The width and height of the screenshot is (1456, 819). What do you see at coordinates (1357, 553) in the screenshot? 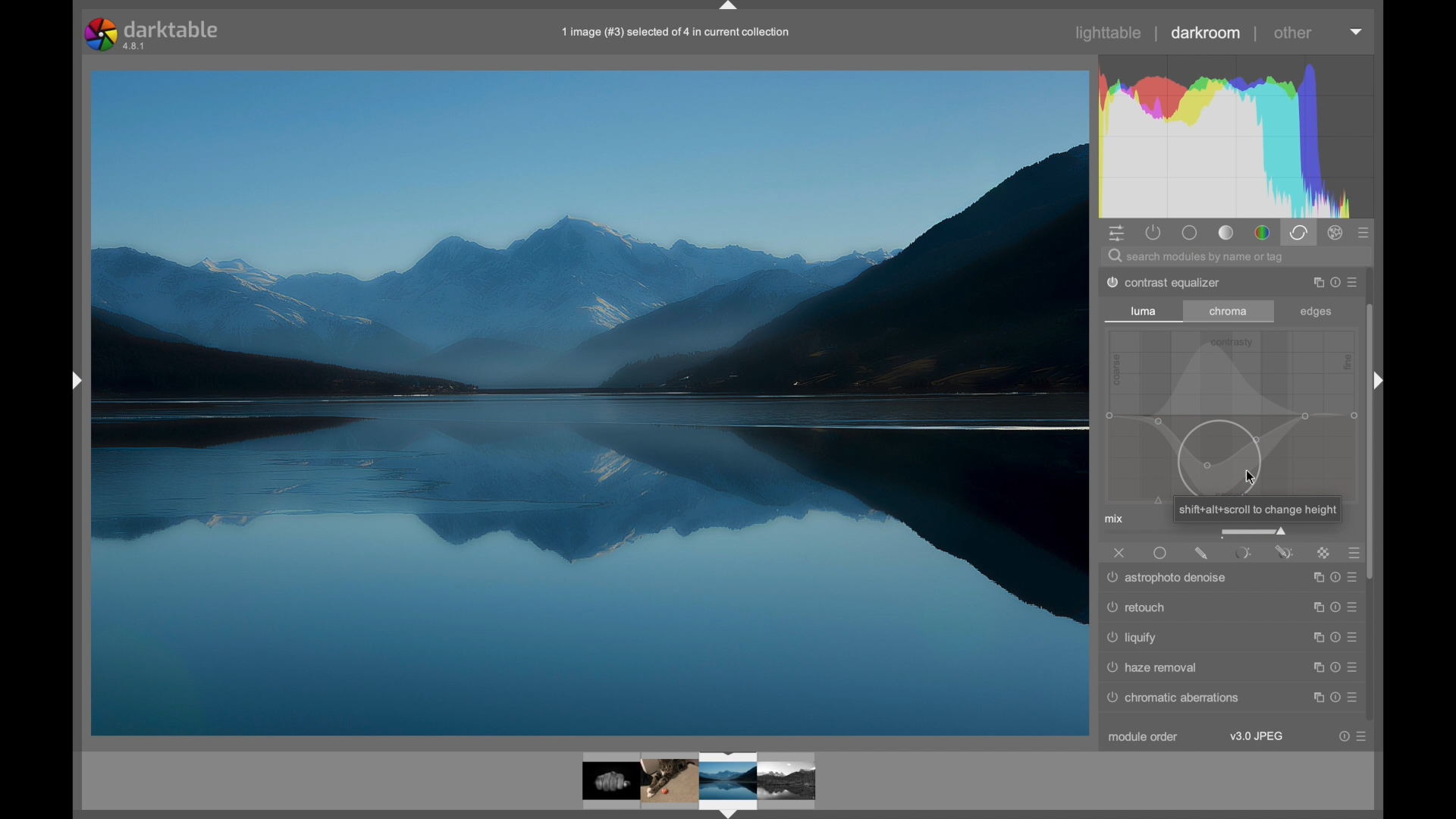
I see `presets` at bounding box center [1357, 553].